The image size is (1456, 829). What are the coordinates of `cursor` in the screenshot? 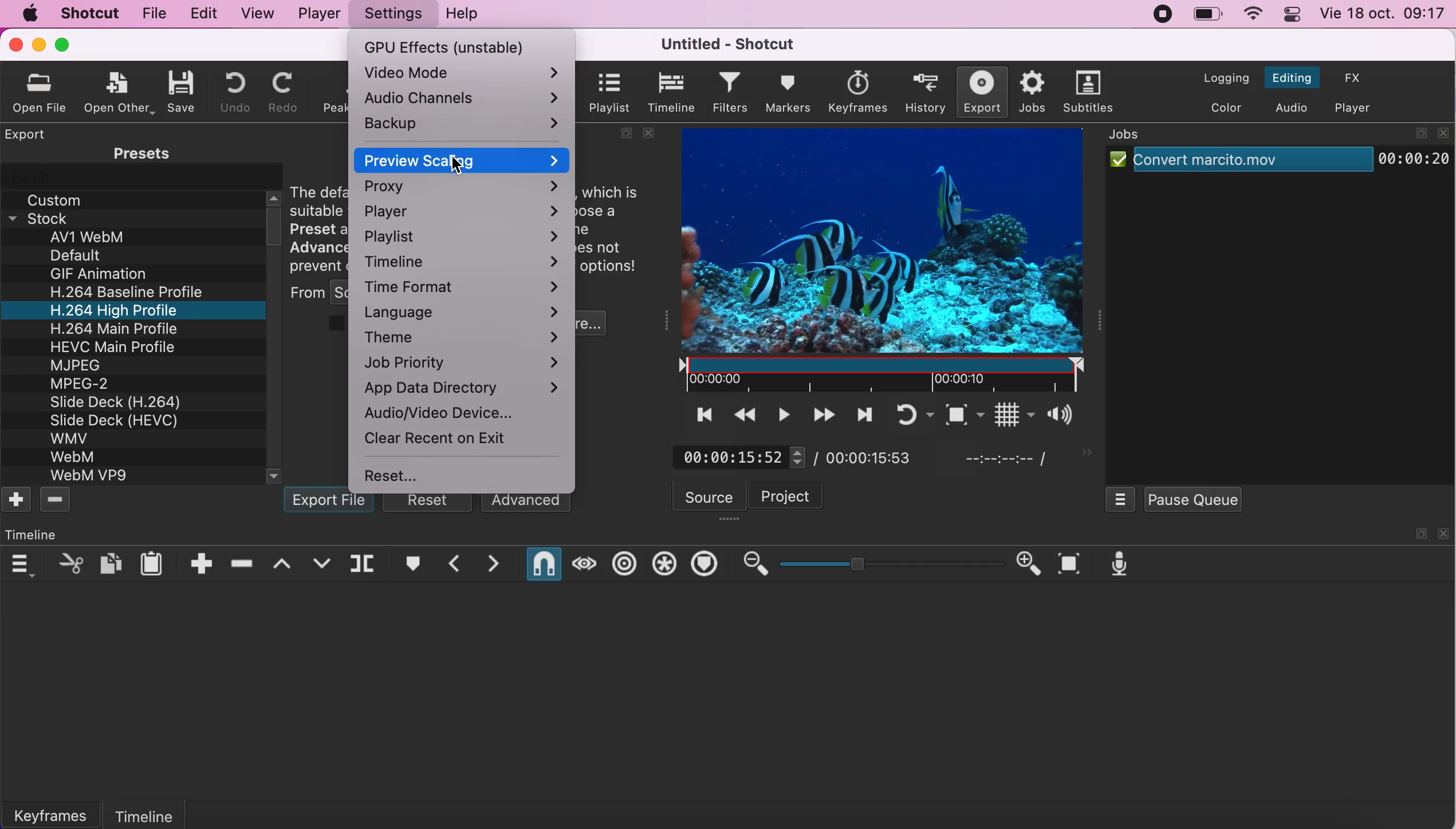 It's located at (456, 160).